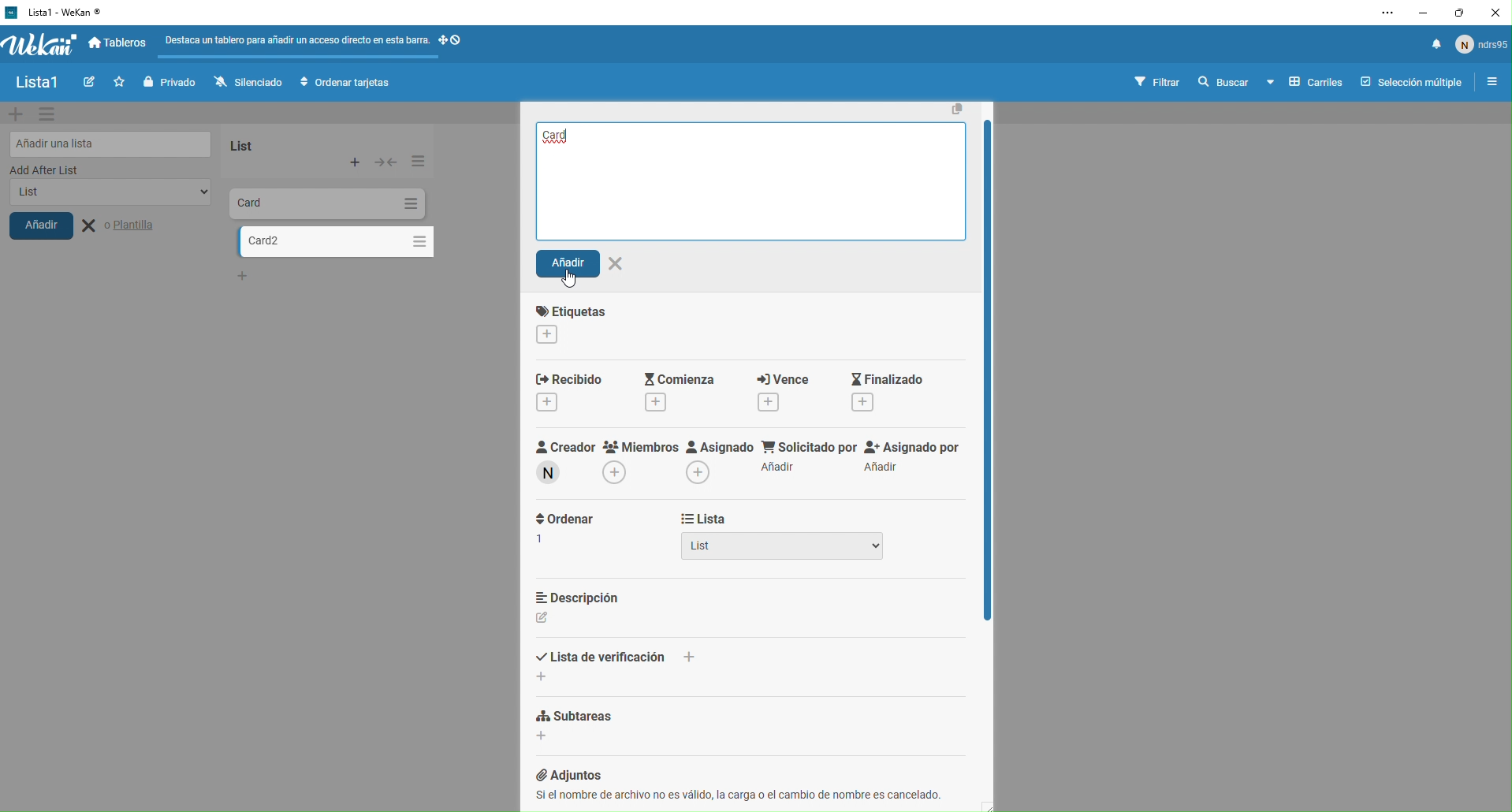 The image size is (1512, 812). I want to click on Solicitado Pon, so click(806, 456).